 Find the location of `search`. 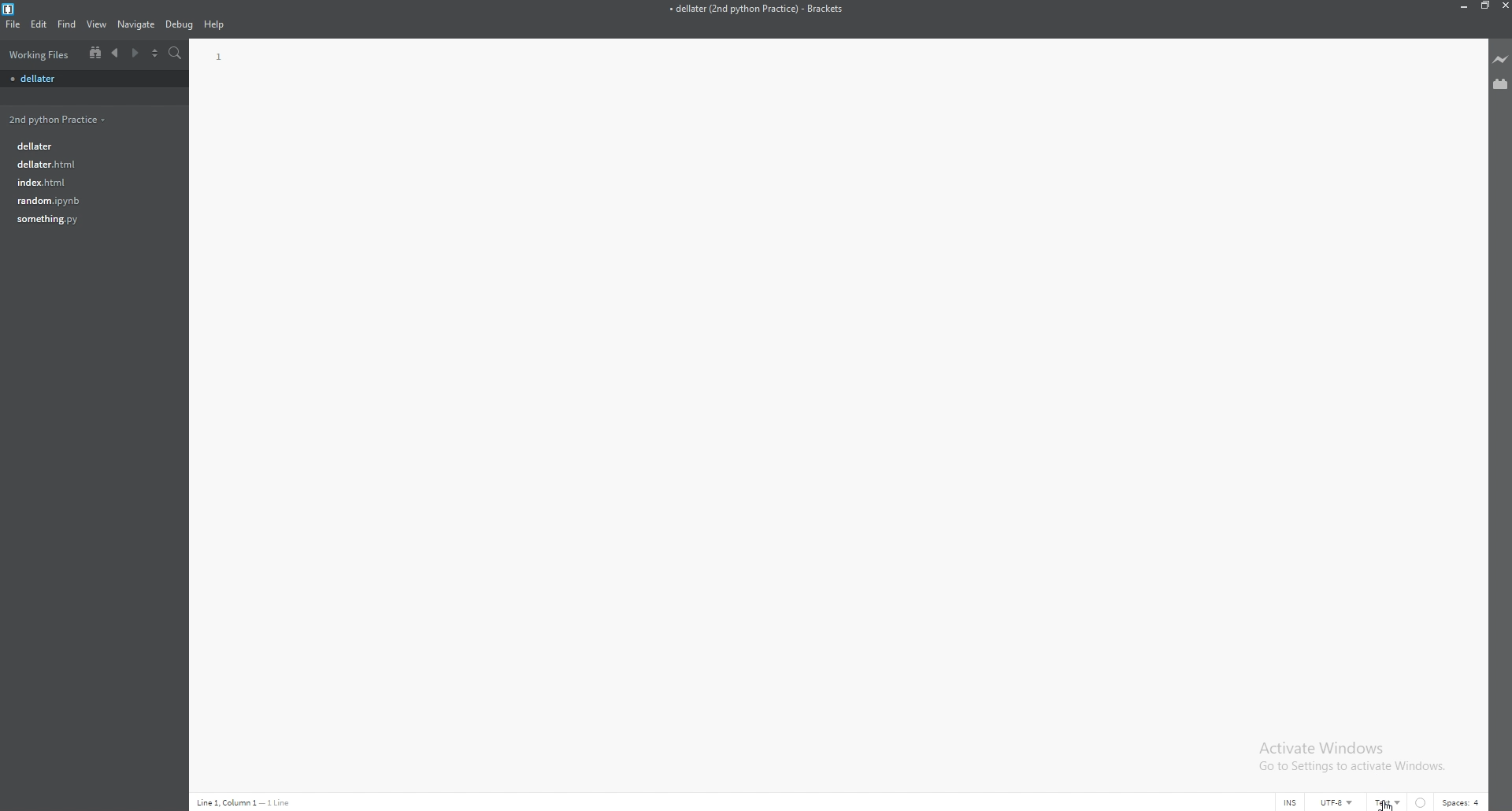

search is located at coordinates (175, 53).